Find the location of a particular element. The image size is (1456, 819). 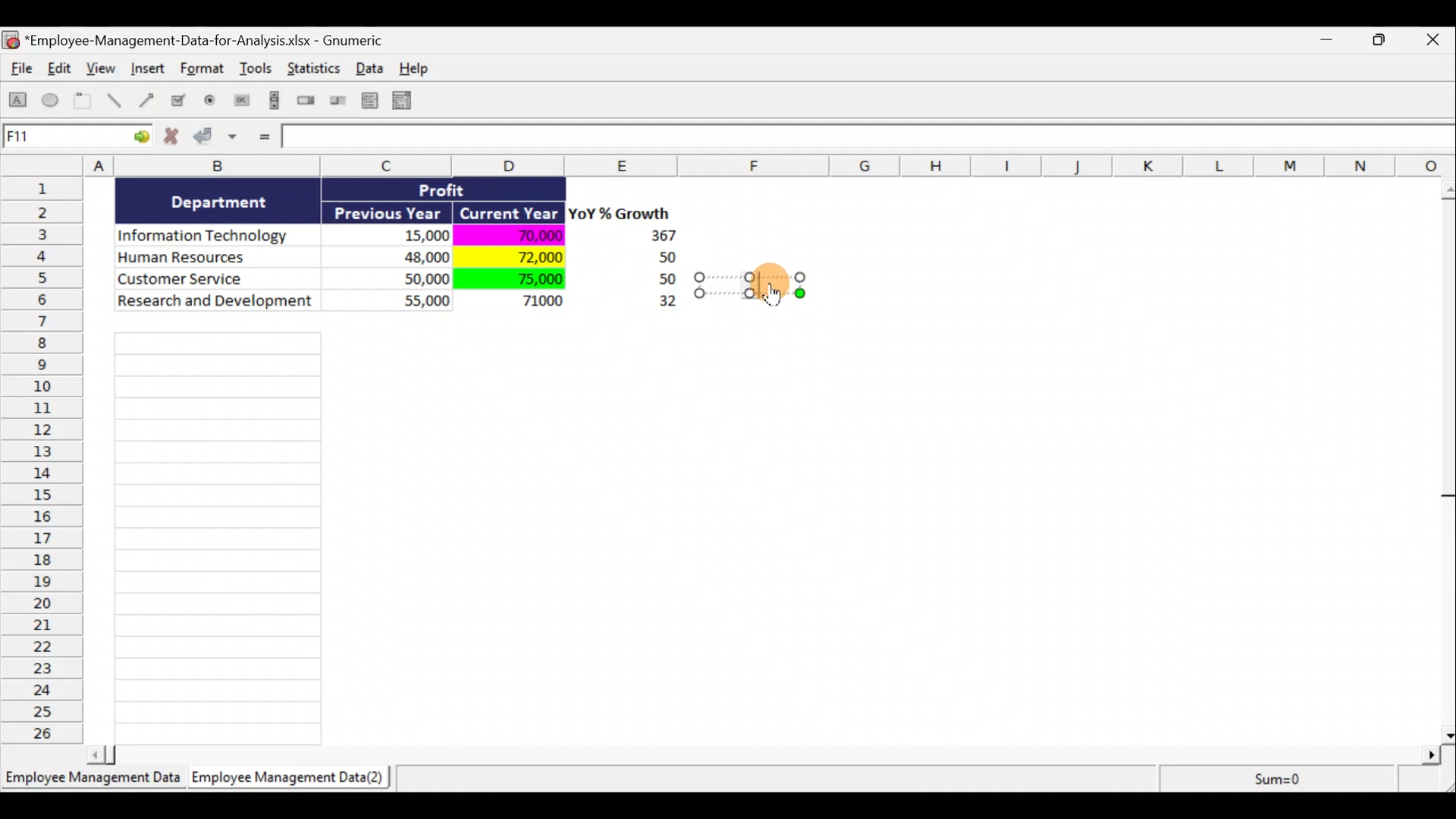

Enter formula is located at coordinates (262, 138).